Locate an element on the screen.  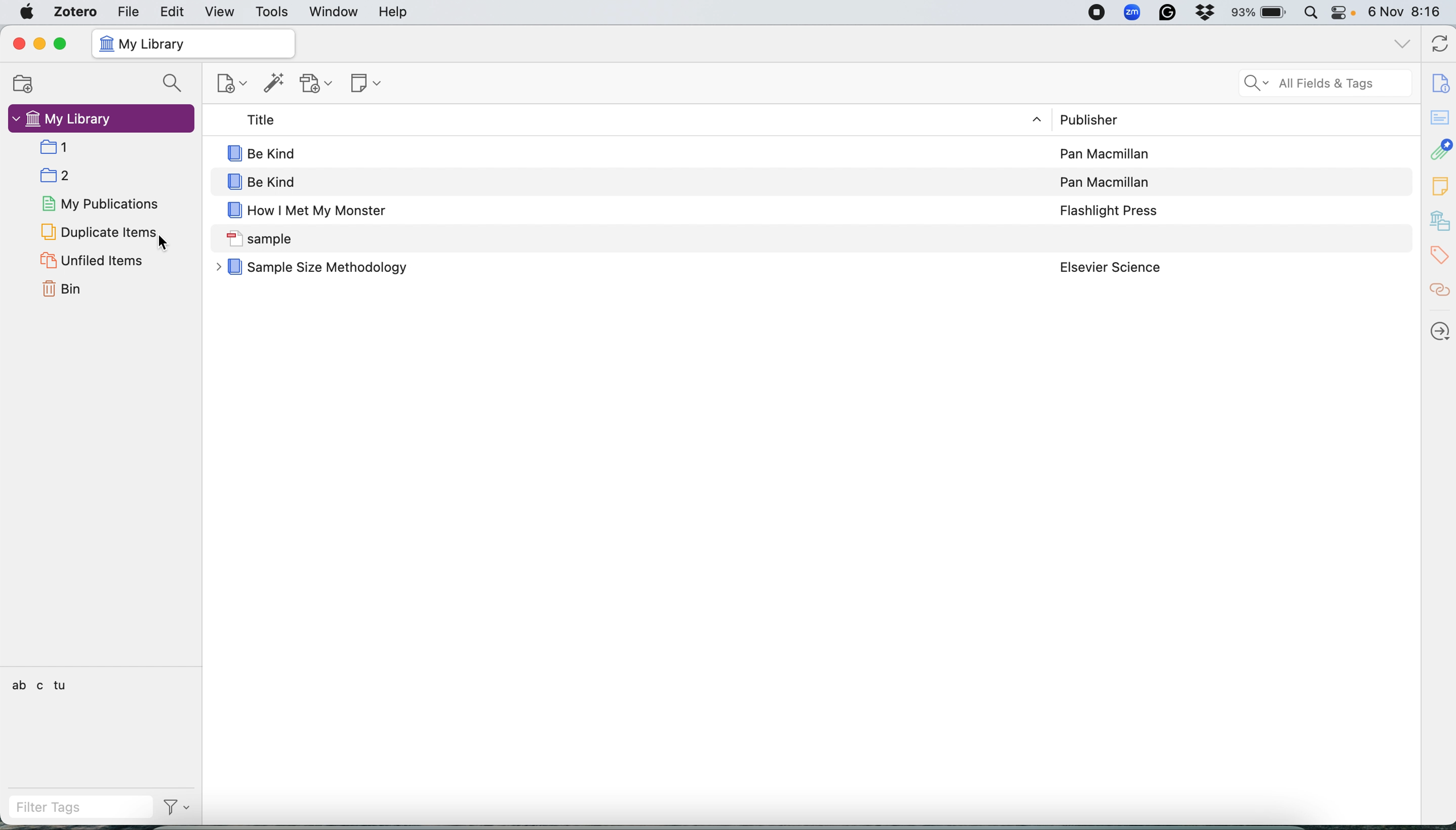
Be Kind is located at coordinates (612, 153).